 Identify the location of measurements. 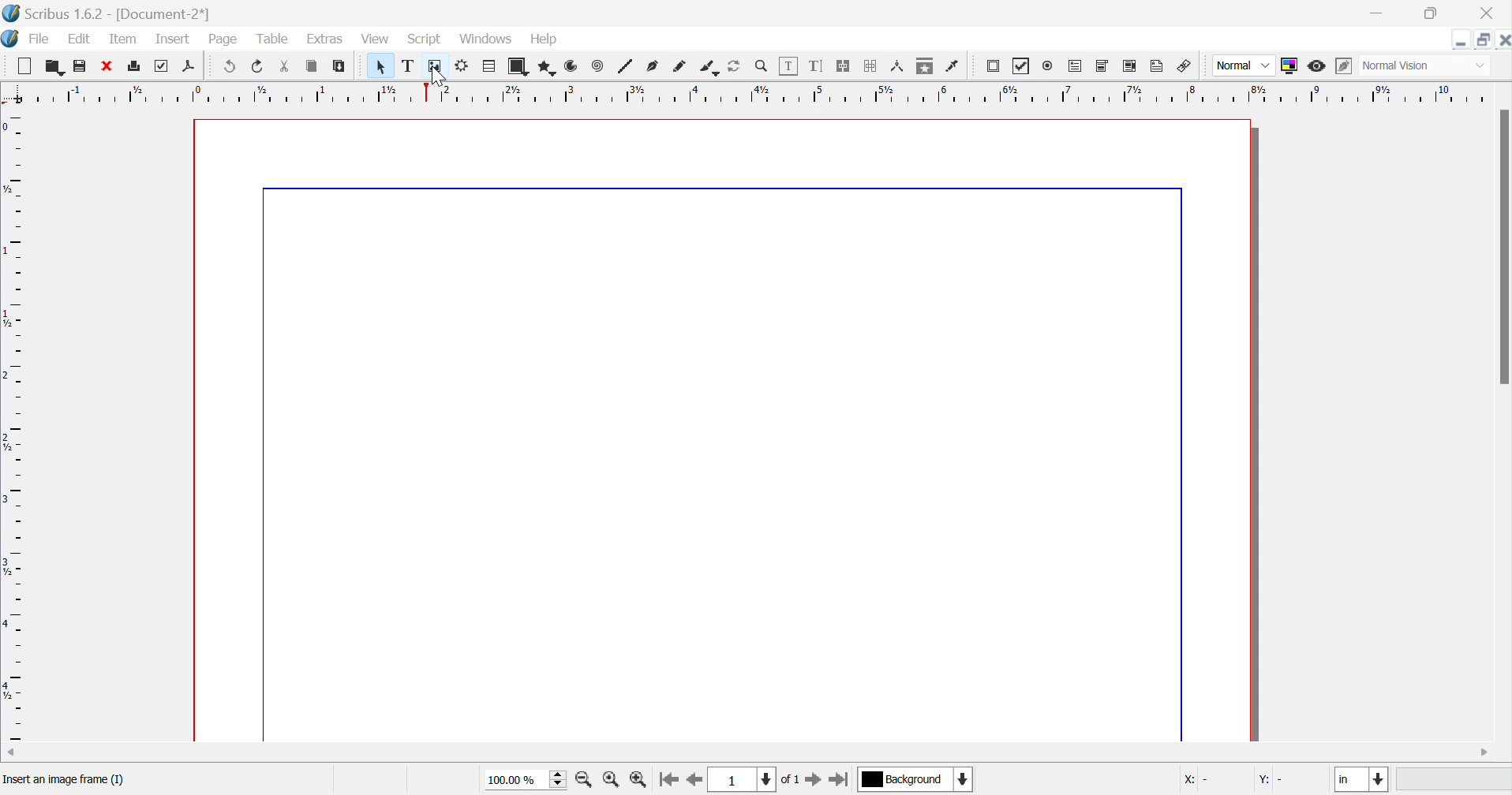
(897, 66).